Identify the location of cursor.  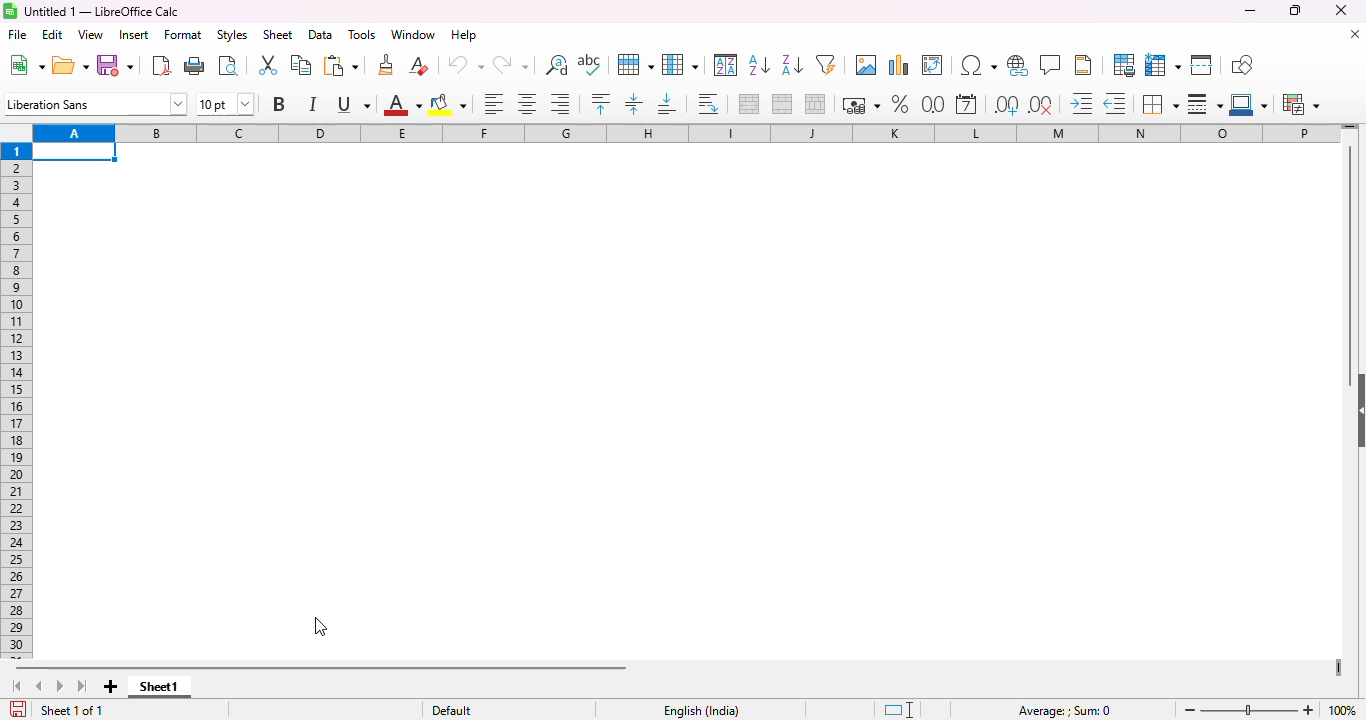
(320, 626).